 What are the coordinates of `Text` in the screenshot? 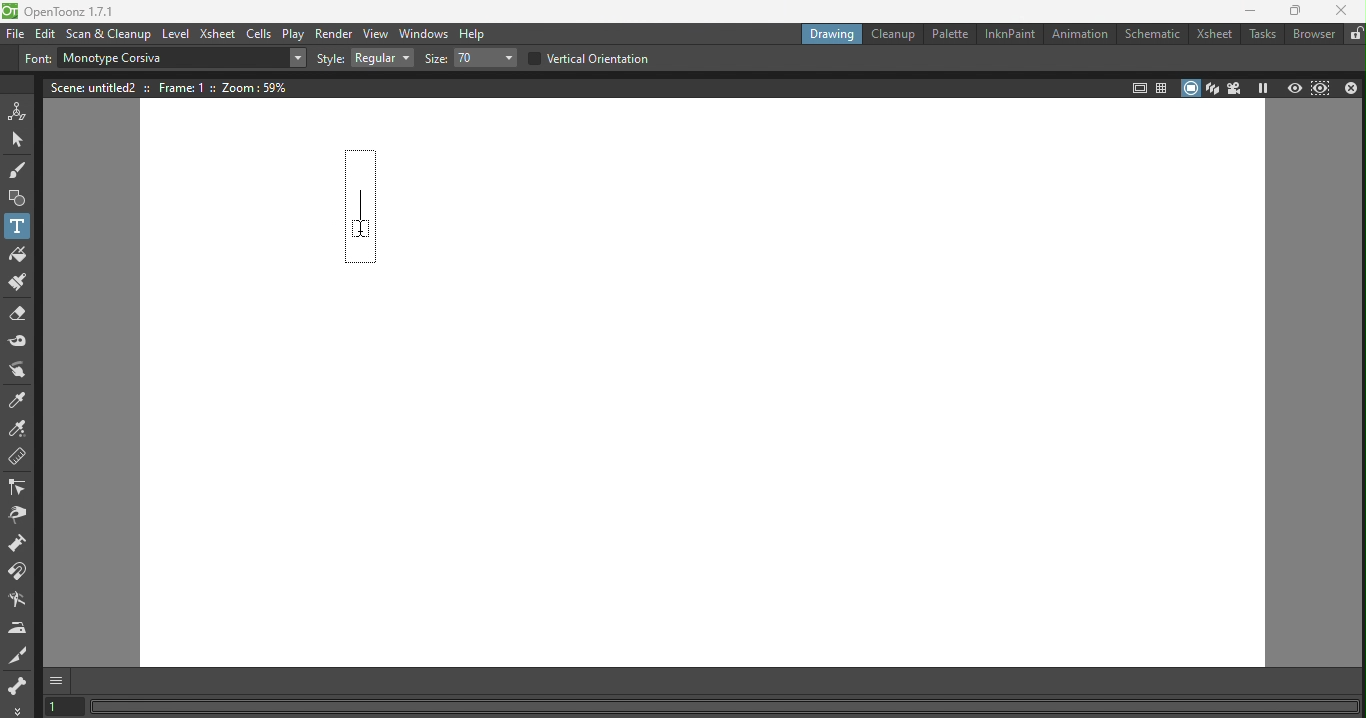 It's located at (371, 205).